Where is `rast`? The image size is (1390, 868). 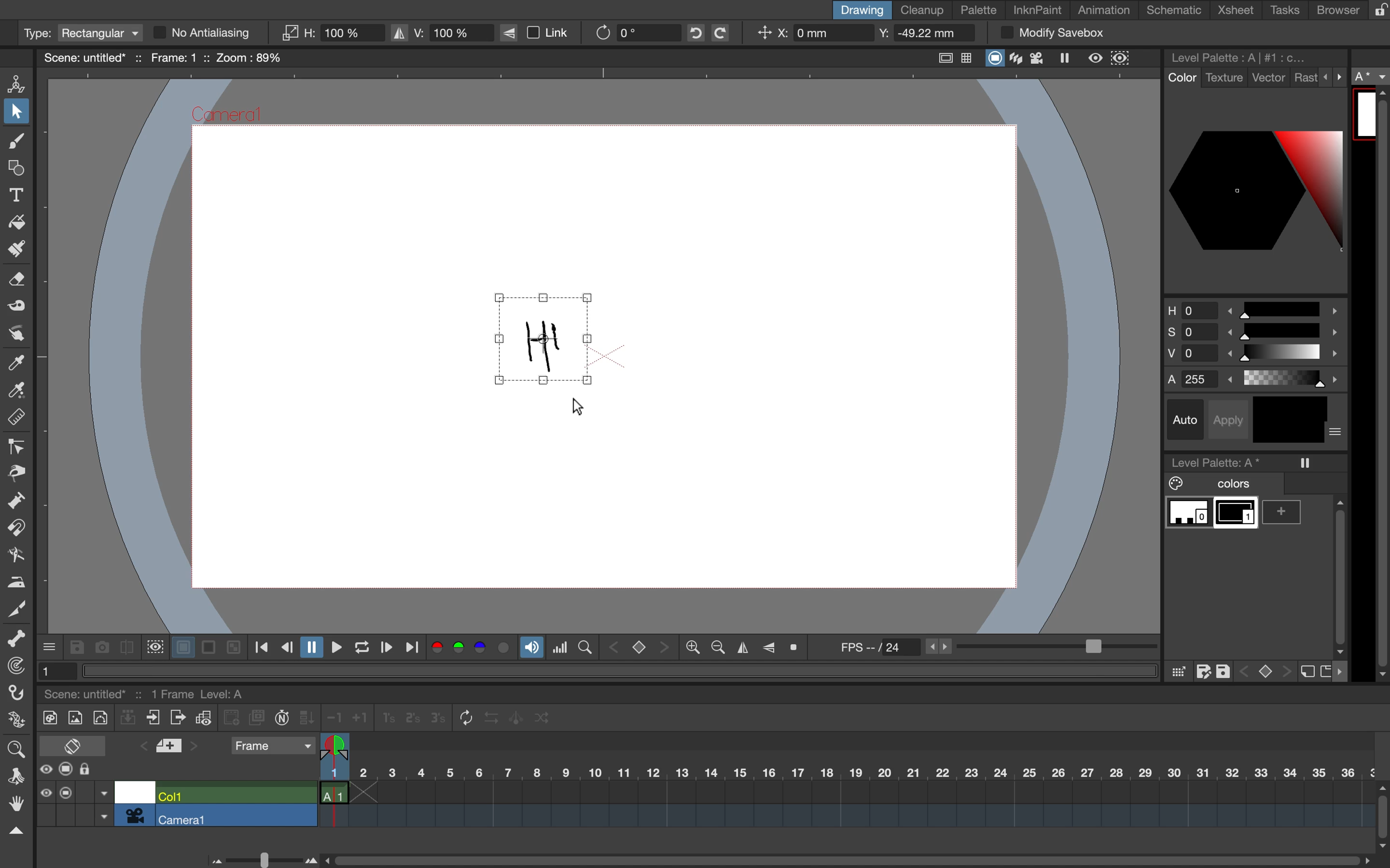
rast is located at coordinates (1305, 79).